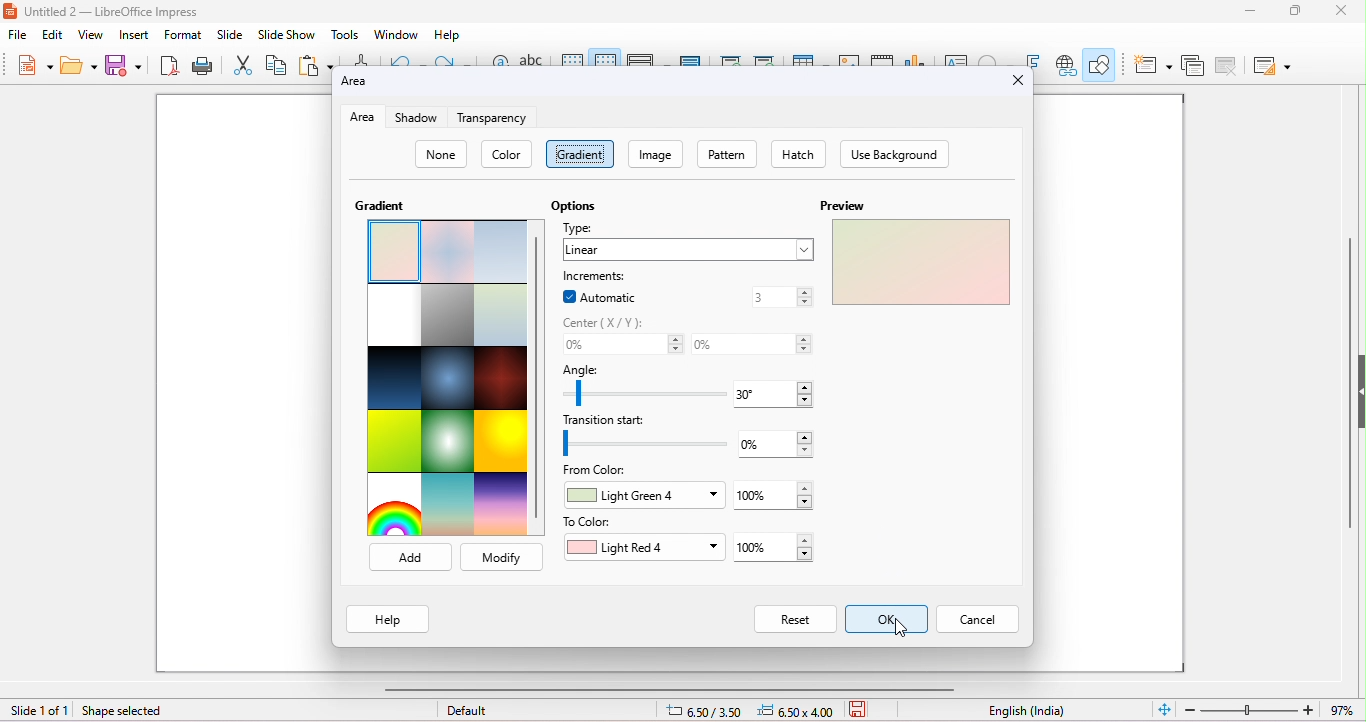 This screenshot has height=722, width=1366. Describe the element at coordinates (449, 439) in the screenshot. I see `Gradient option 11` at that location.